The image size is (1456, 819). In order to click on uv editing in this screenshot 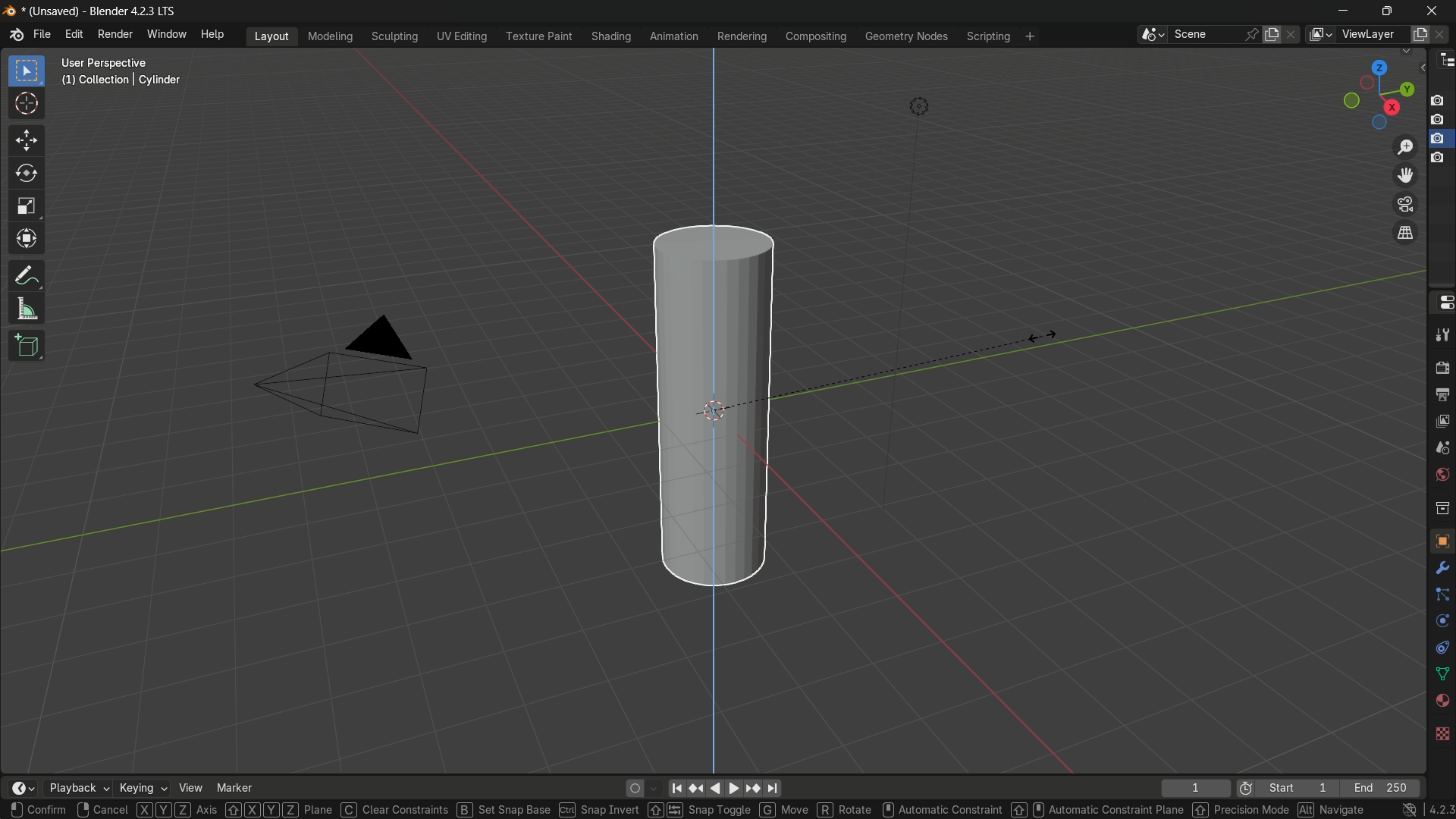, I will do `click(461, 36)`.